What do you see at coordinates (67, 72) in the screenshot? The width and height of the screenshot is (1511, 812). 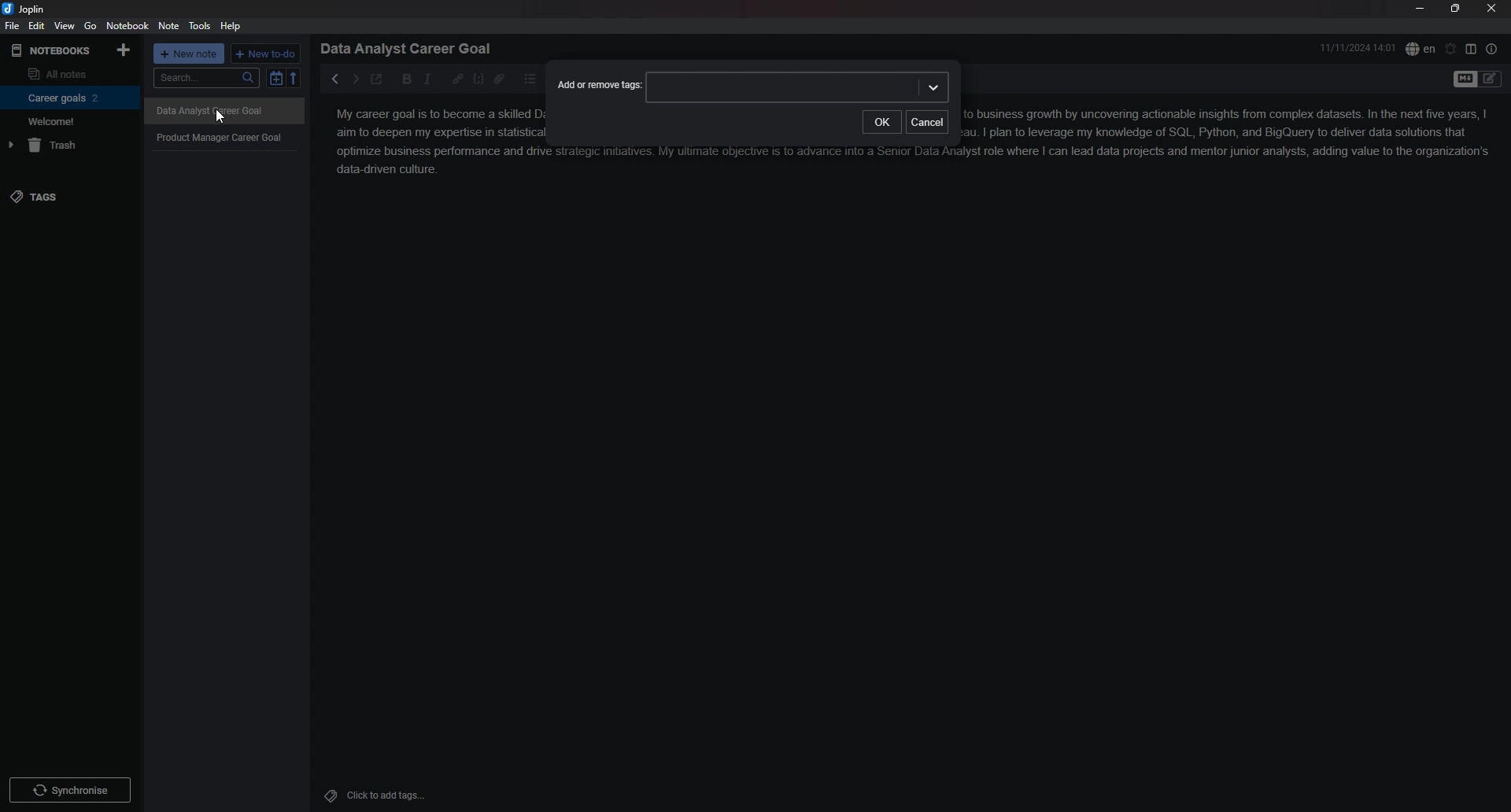 I see `all notes` at bounding box center [67, 72].